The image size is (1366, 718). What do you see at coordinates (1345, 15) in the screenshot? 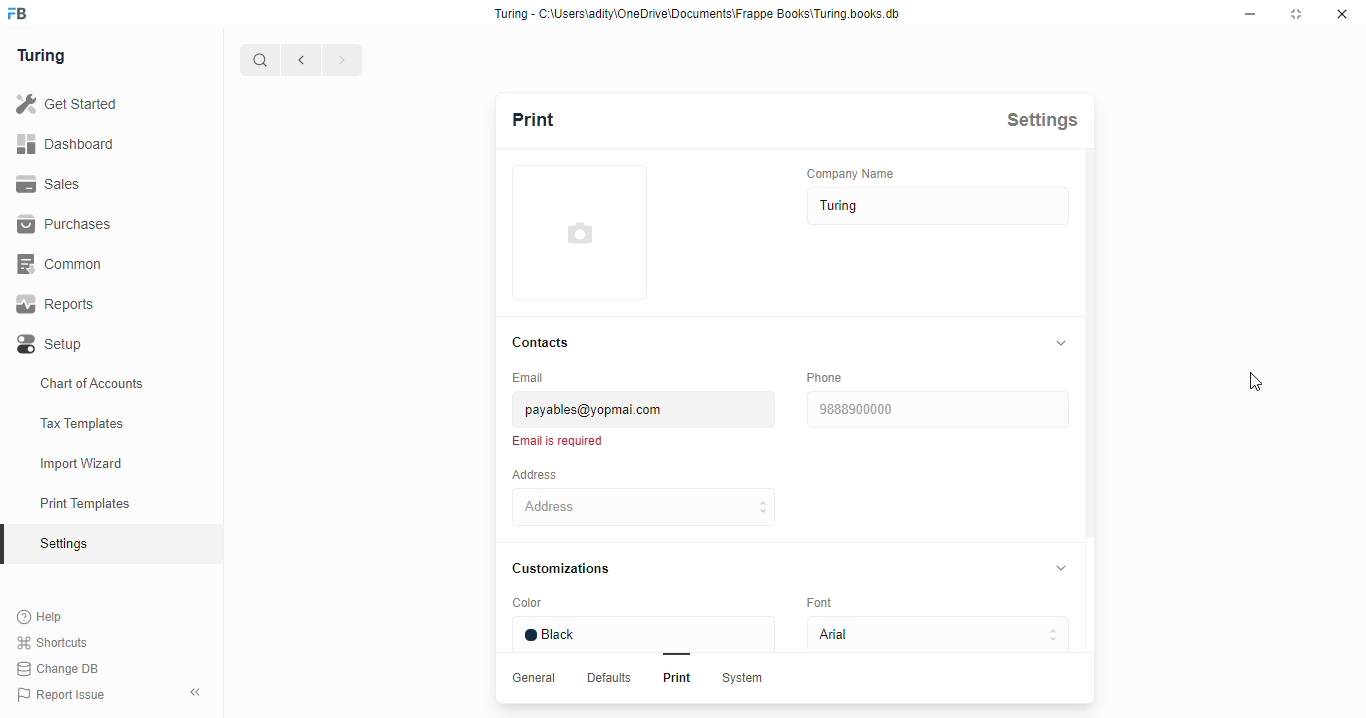
I see `close` at bounding box center [1345, 15].